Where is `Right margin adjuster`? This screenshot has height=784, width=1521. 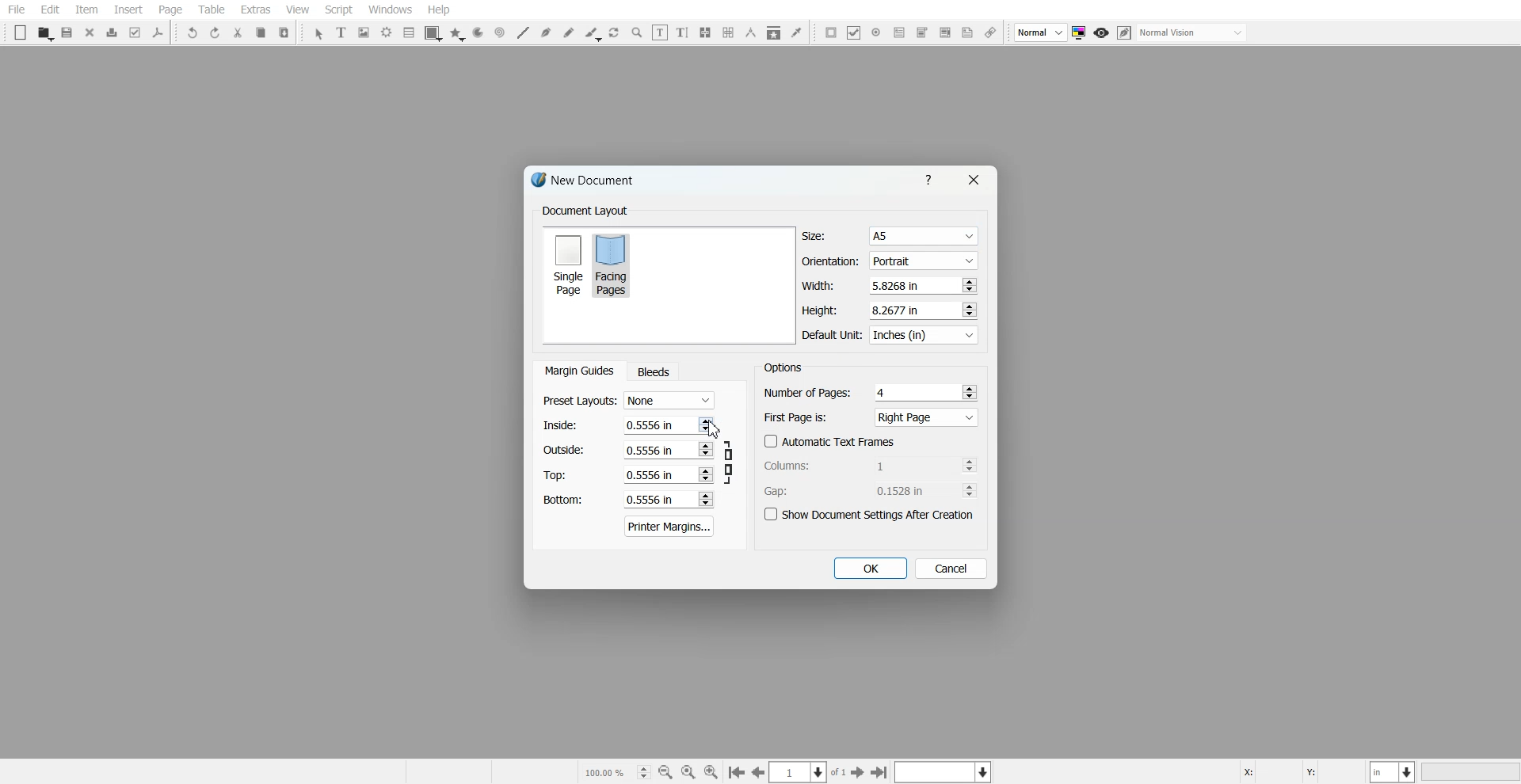
Right margin adjuster is located at coordinates (629, 450).